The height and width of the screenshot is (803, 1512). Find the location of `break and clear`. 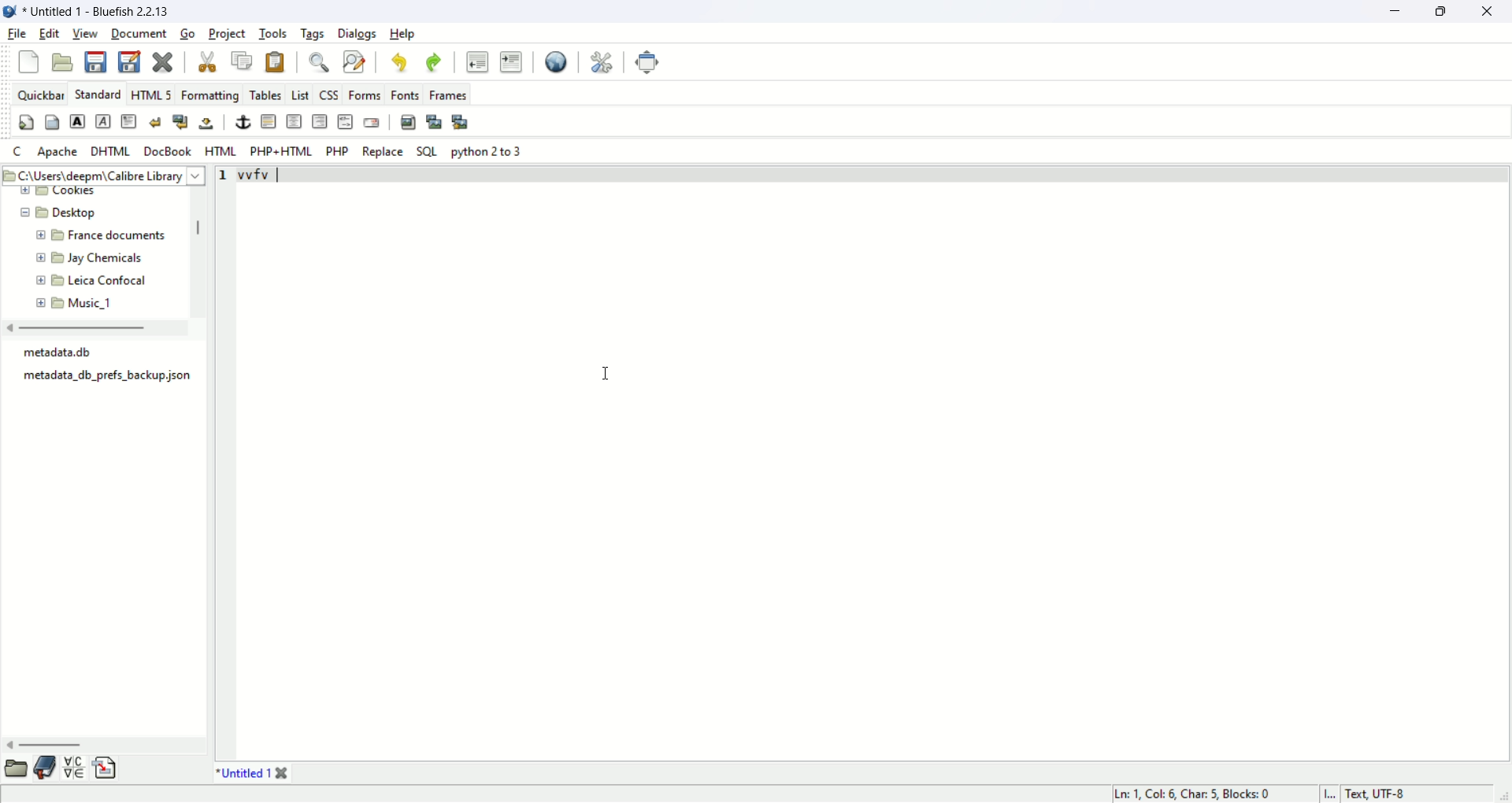

break and clear is located at coordinates (181, 122).